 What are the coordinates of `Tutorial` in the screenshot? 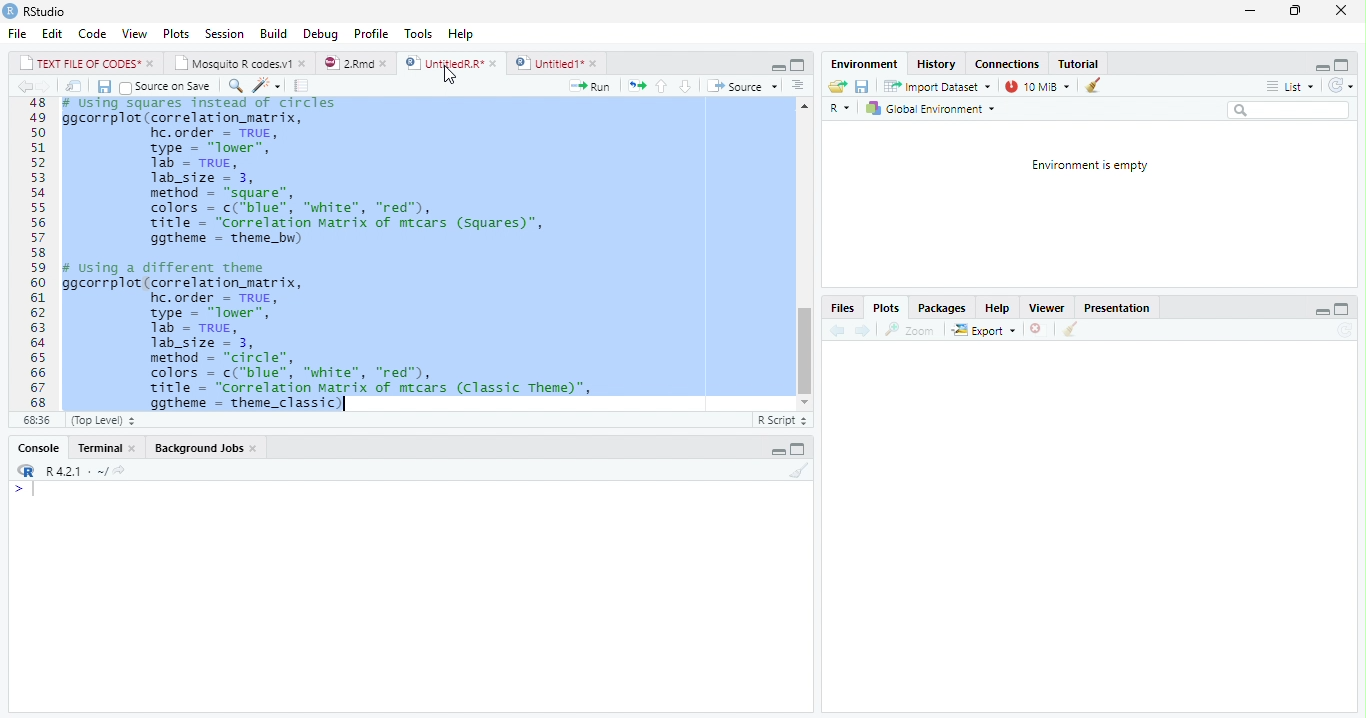 It's located at (1080, 63).